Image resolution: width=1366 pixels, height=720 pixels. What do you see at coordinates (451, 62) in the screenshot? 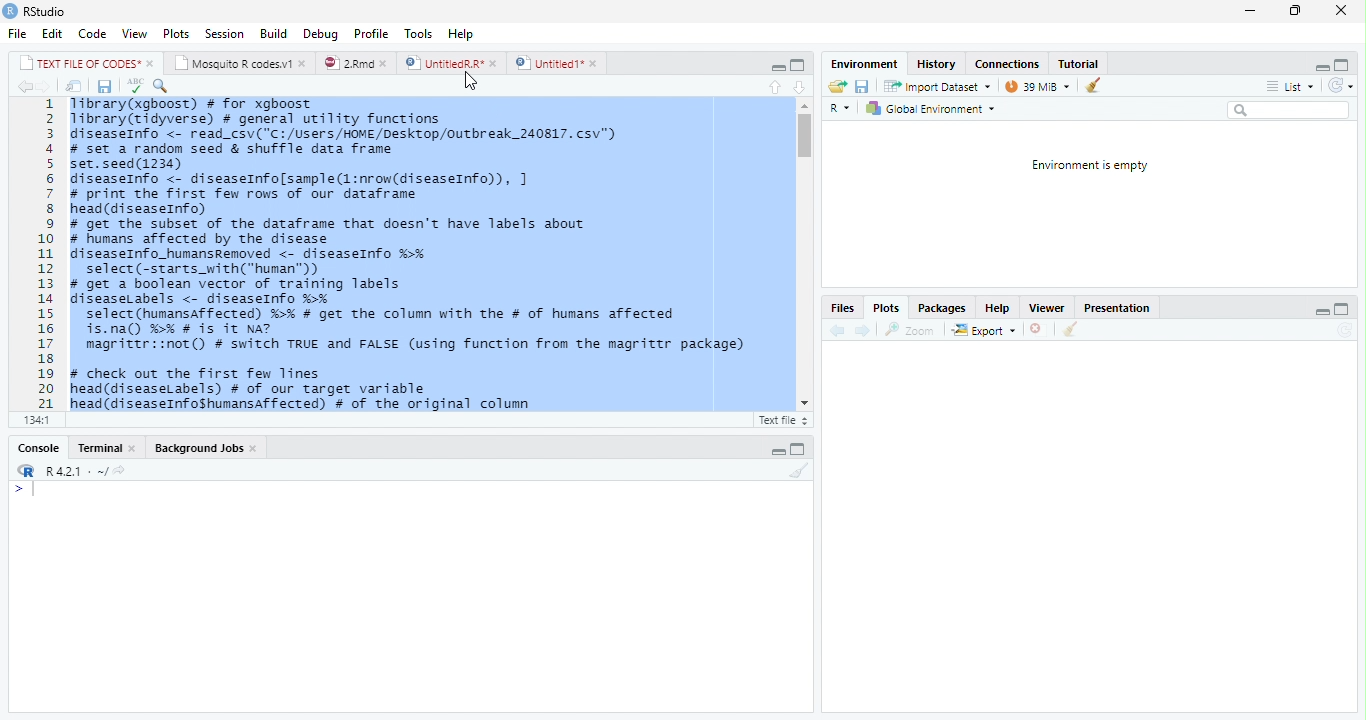
I see `UntitiedR.R* ` at bounding box center [451, 62].